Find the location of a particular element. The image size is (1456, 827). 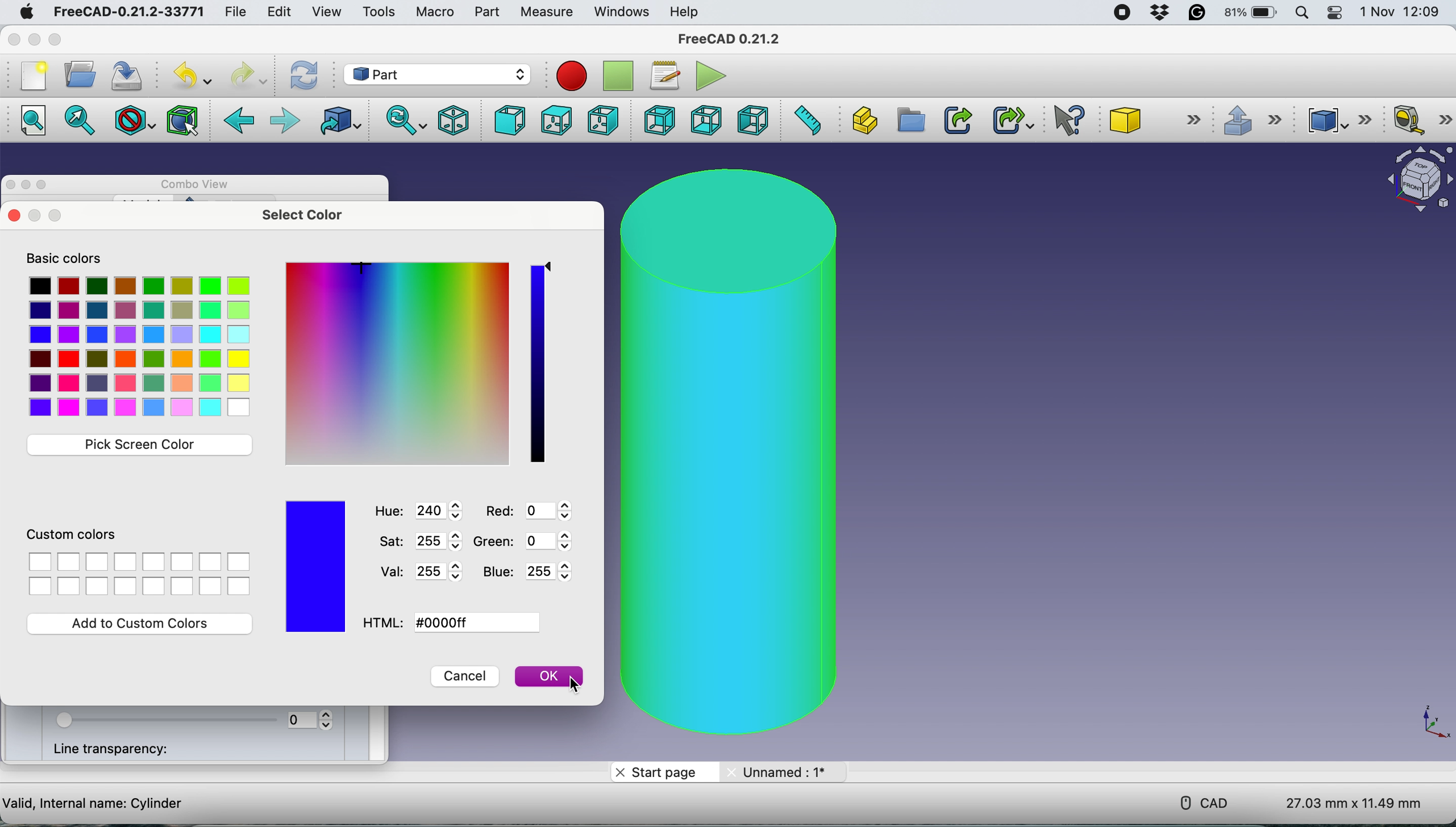

line transparency is located at coordinates (119, 751).